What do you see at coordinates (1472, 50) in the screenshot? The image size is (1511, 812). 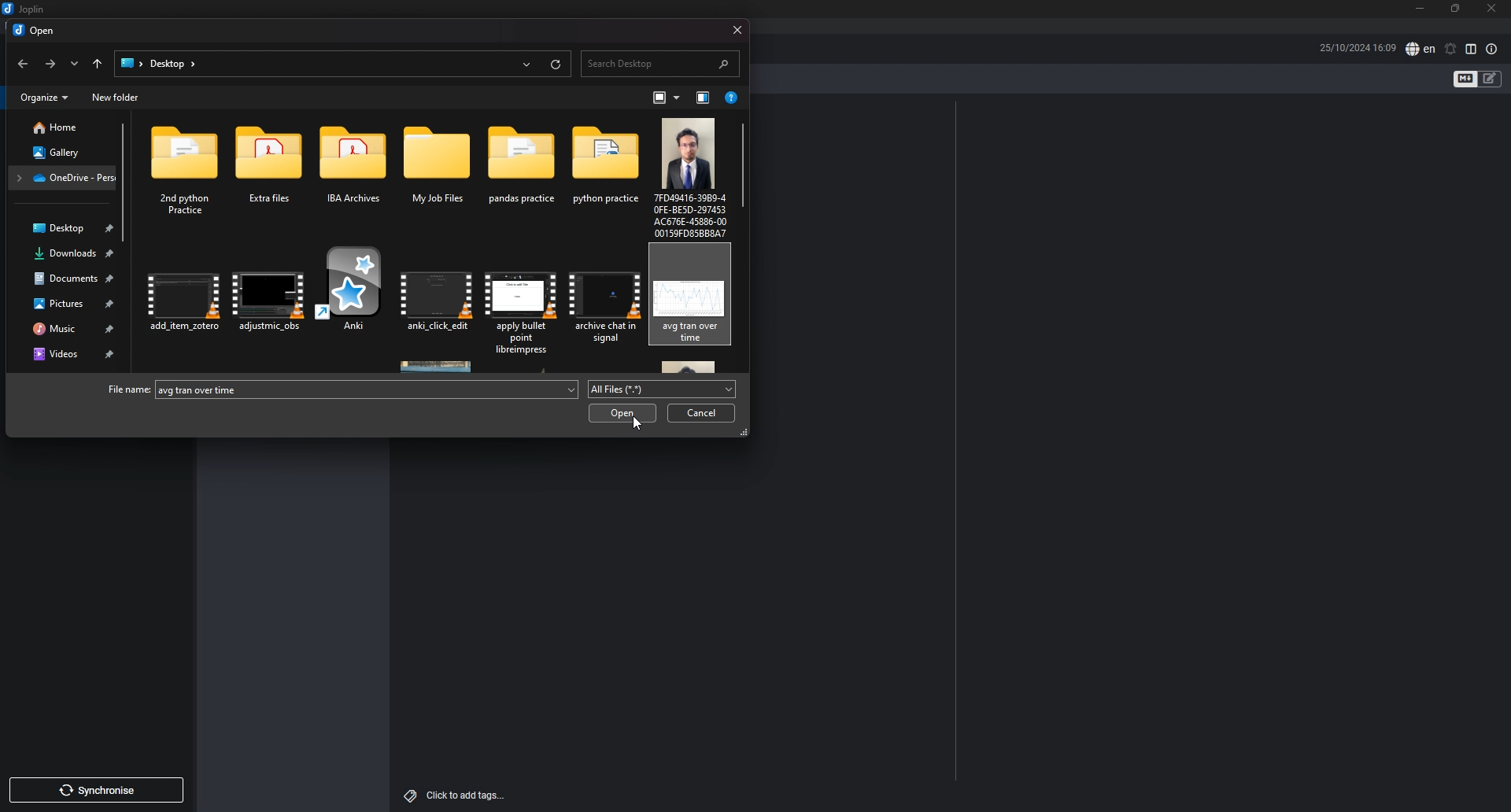 I see `toggle editor layout` at bounding box center [1472, 50].